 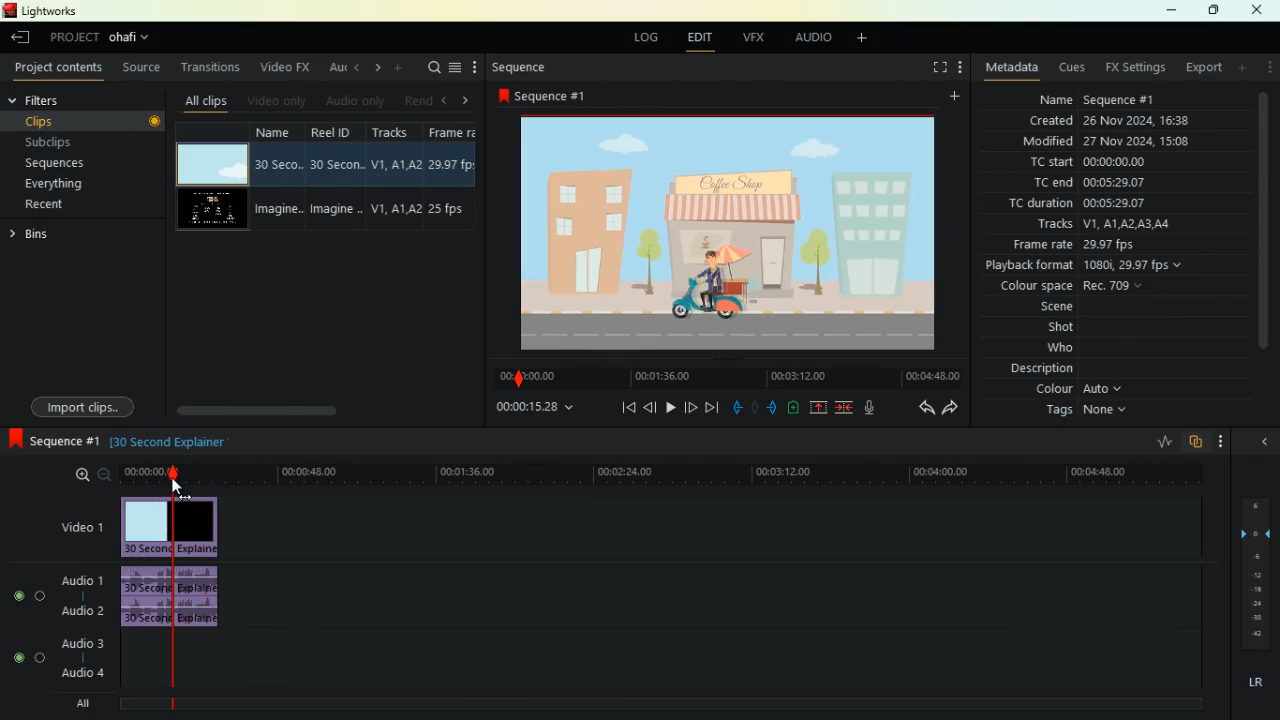 I want to click on close, so click(x=1263, y=441).